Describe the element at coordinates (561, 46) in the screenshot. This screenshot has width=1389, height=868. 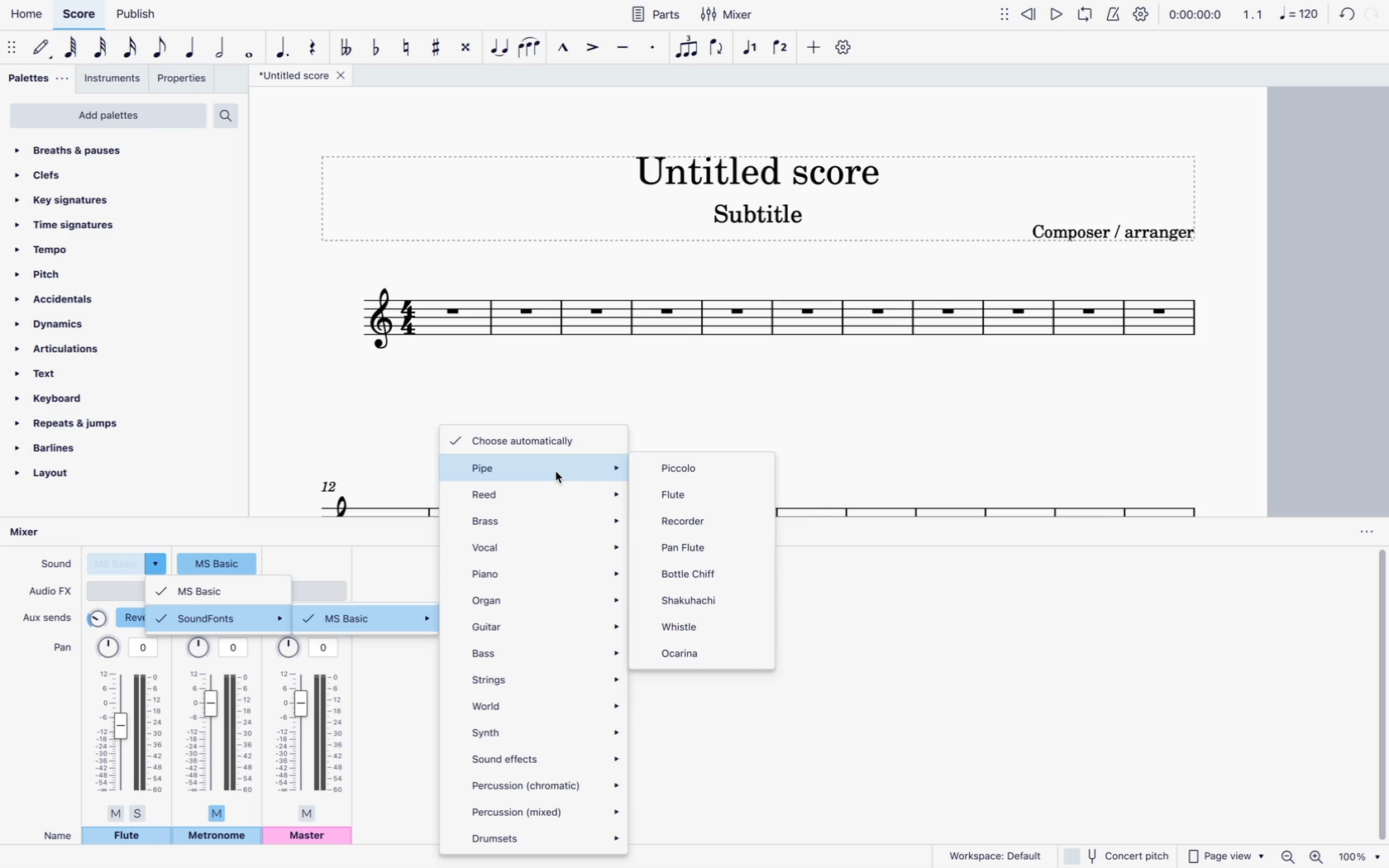
I see `marcato` at that location.